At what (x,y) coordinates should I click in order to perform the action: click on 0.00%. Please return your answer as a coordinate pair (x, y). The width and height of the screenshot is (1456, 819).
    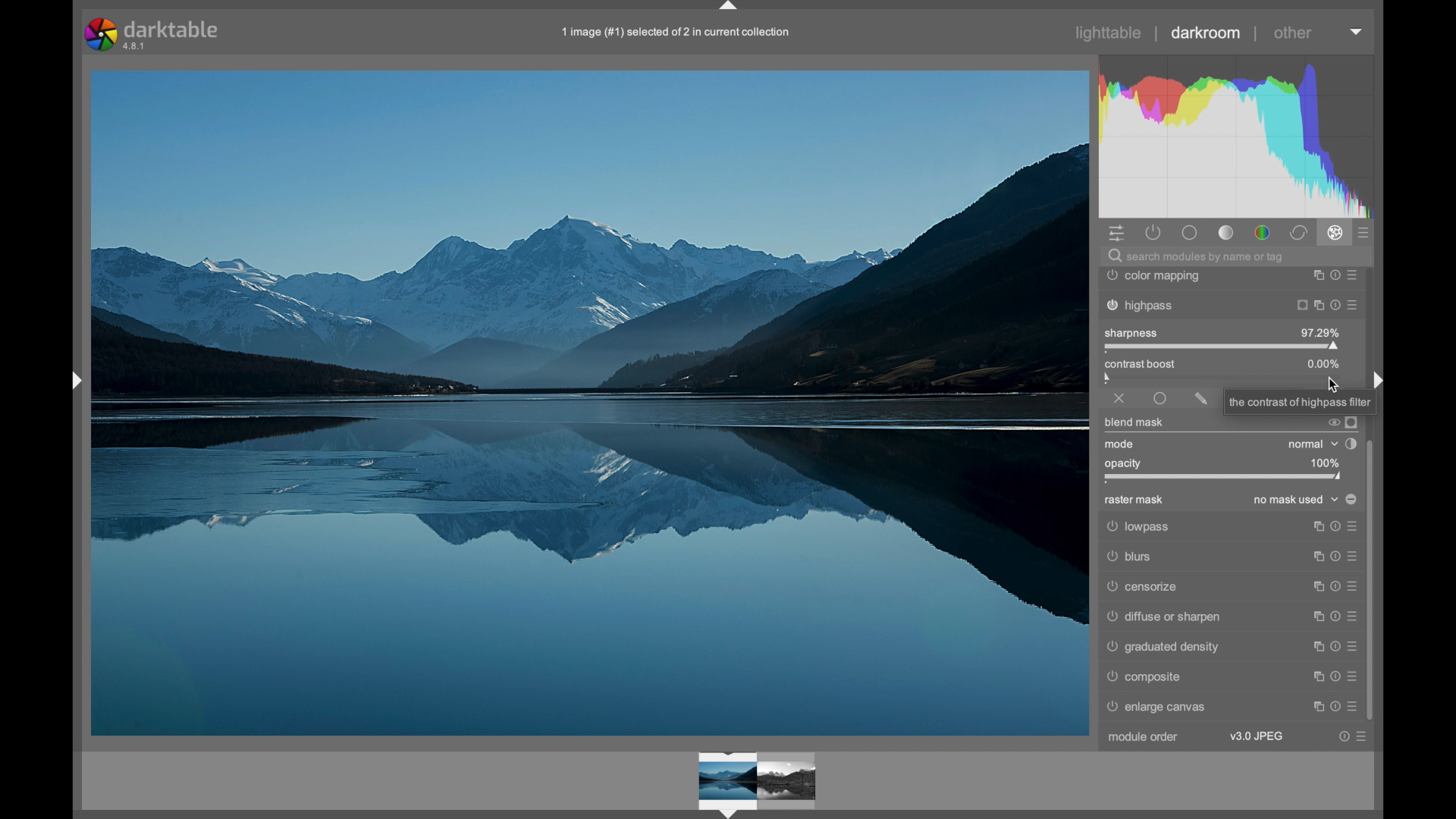
    Looking at the image, I should click on (1323, 363).